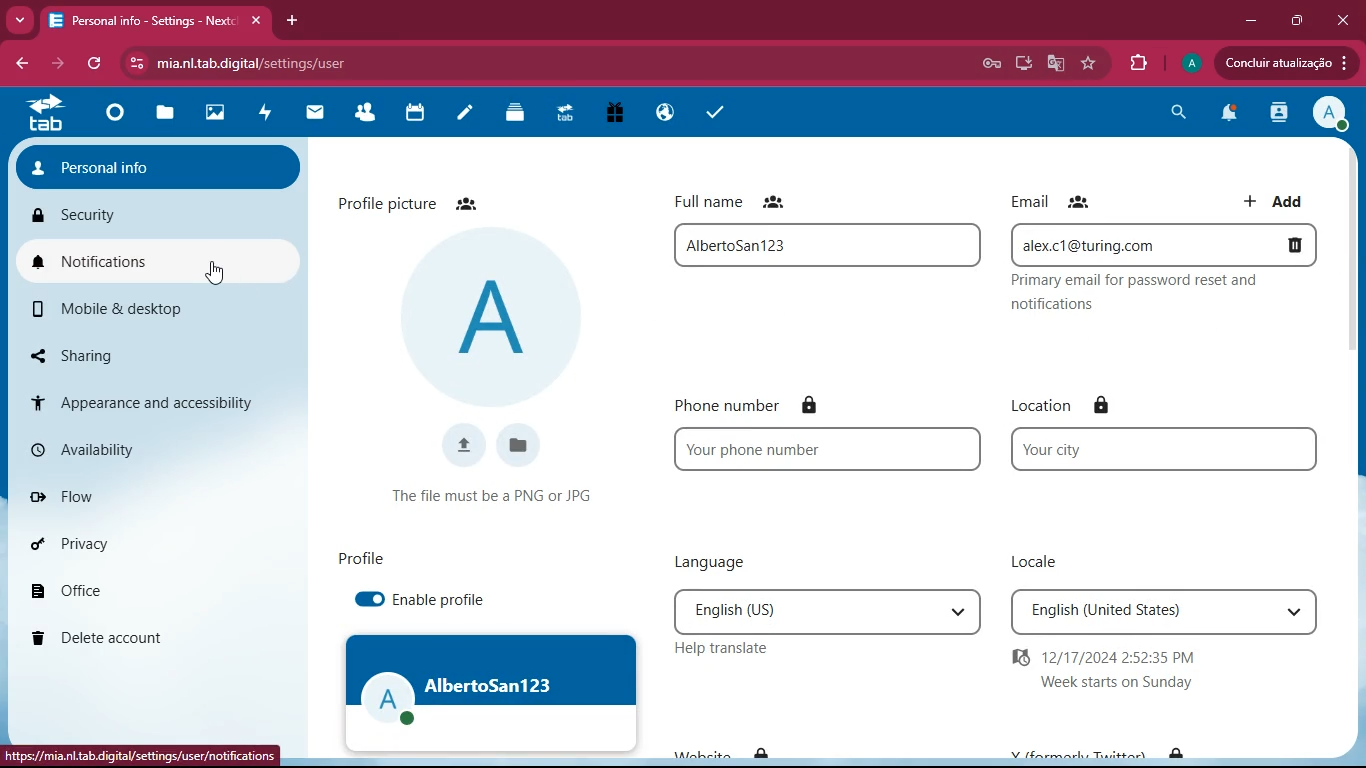 The height and width of the screenshot is (768, 1366). I want to click on security, so click(149, 218).